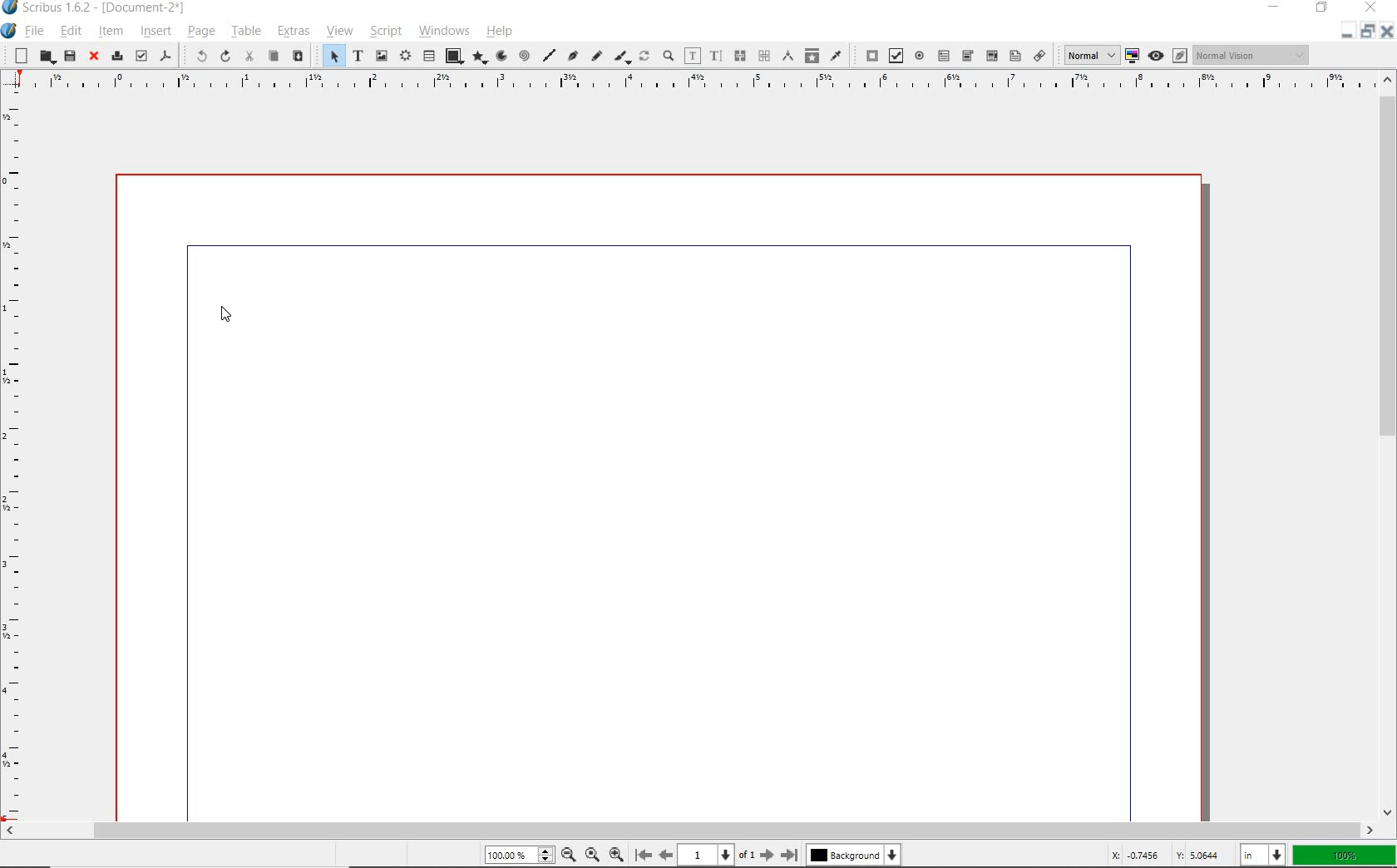 This screenshot has height=868, width=1397. What do you see at coordinates (596, 57) in the screenshot?
I see `freehand line` at bounding box center [596, 57].